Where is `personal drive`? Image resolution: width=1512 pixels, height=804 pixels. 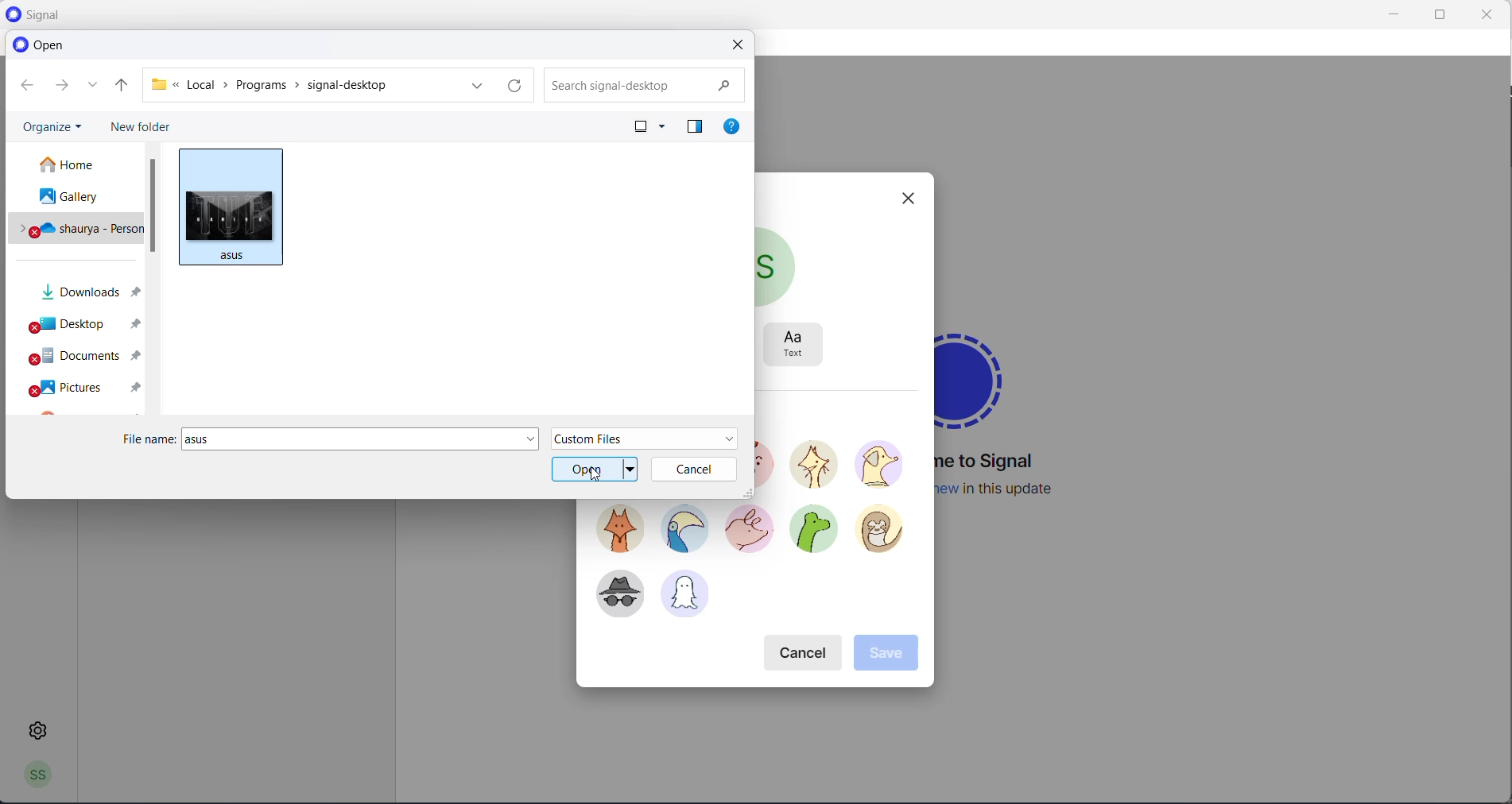
personal drive is located at coordinates (76, 234).